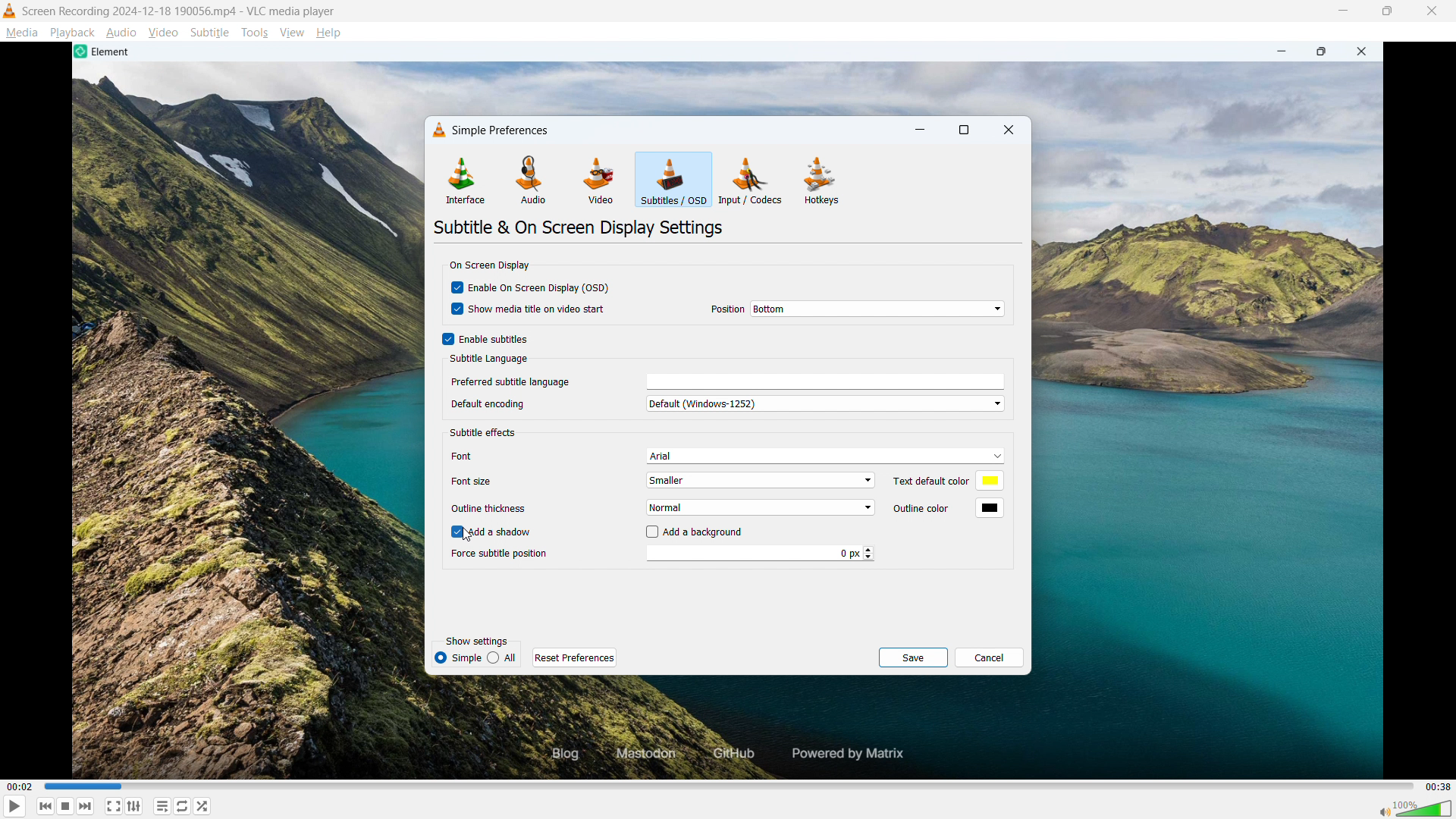  Describe the element at coordinates (180, 11) in the screenshot. I see `Screen Recording 2024-12-18 190056.mp4 - VLC media player` at that location.